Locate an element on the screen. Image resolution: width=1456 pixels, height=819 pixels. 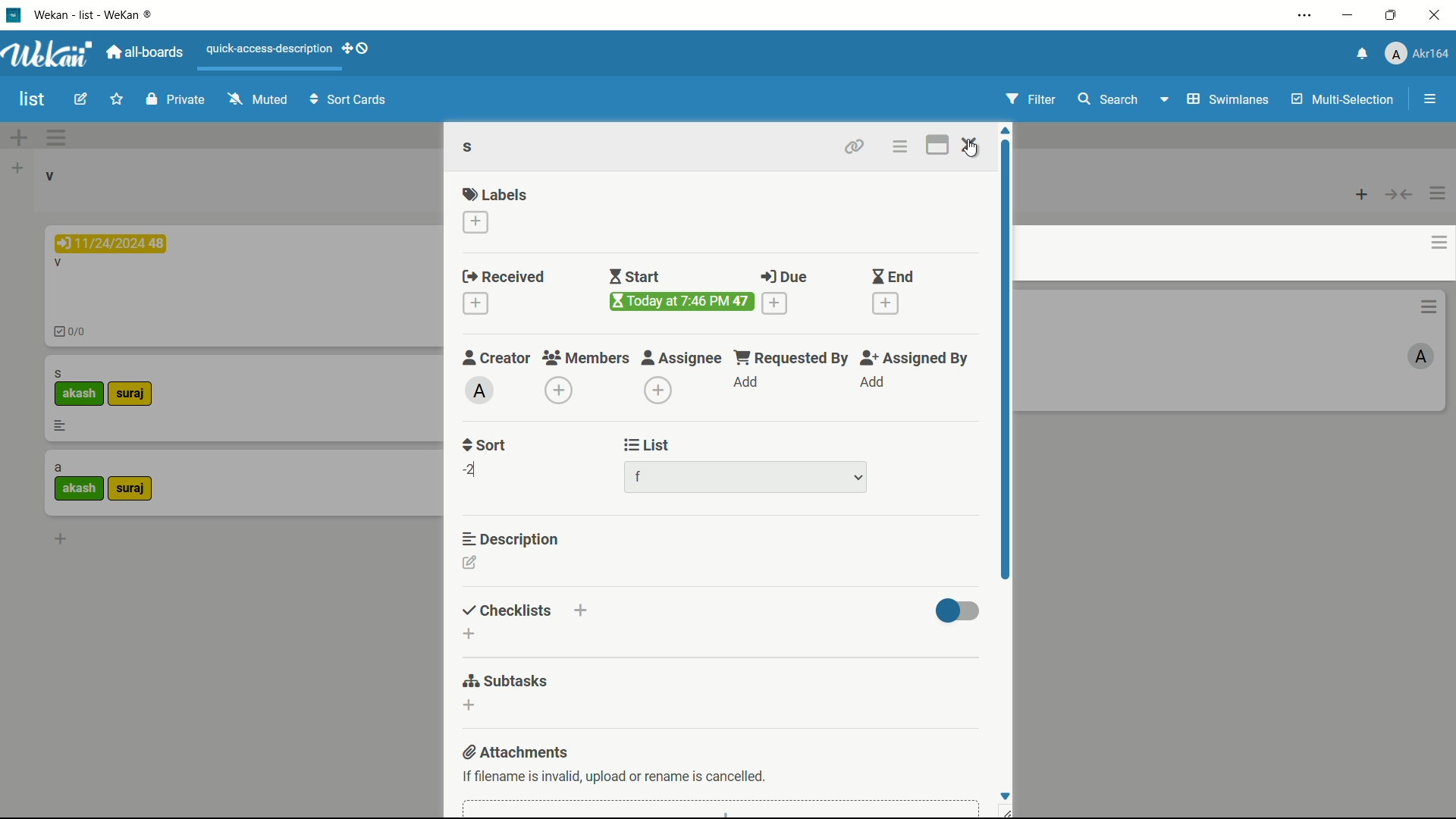
collapse is located at coordinates (1398, 196).